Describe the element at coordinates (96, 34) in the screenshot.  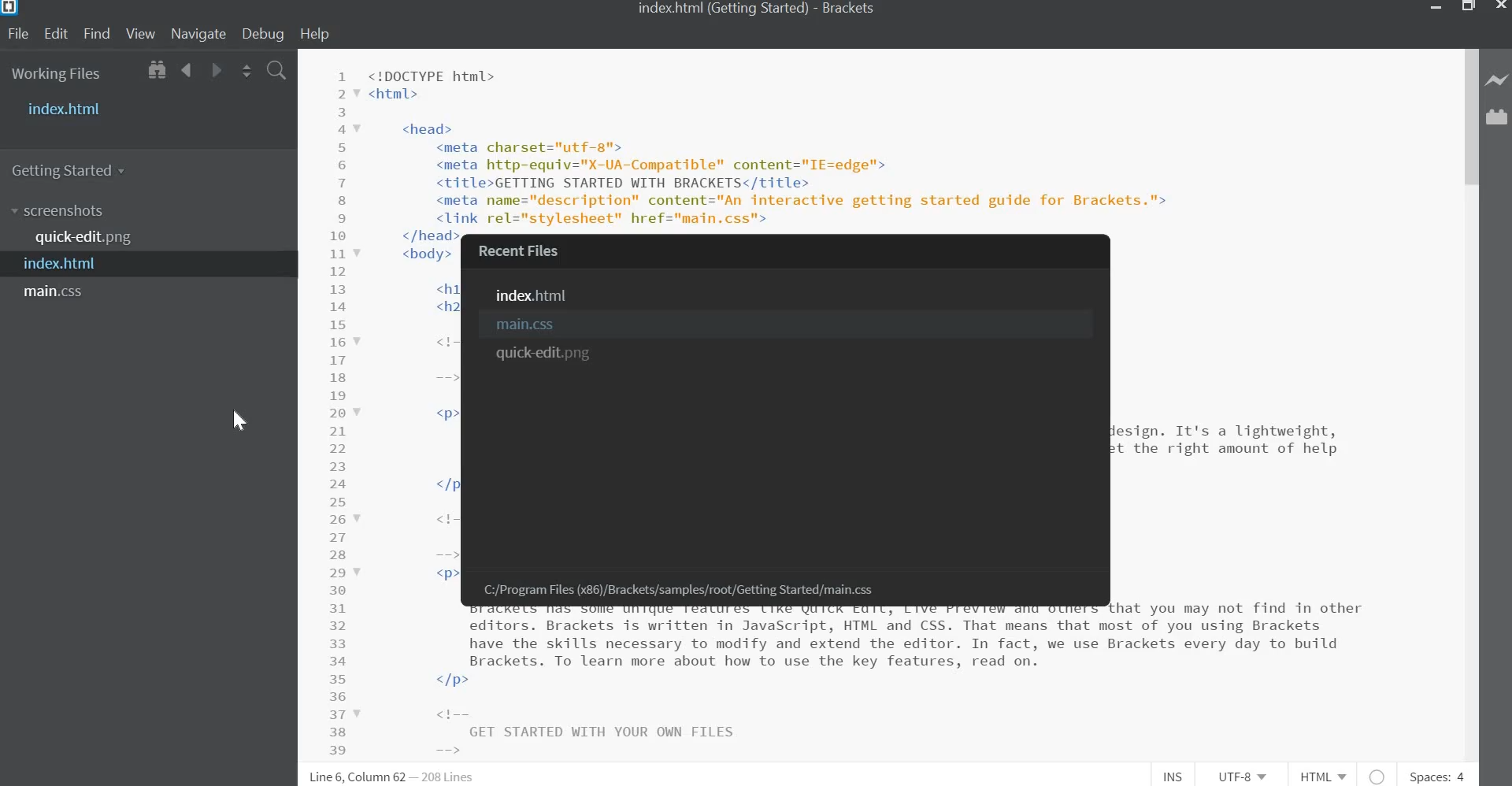
I see `Find` at that location.